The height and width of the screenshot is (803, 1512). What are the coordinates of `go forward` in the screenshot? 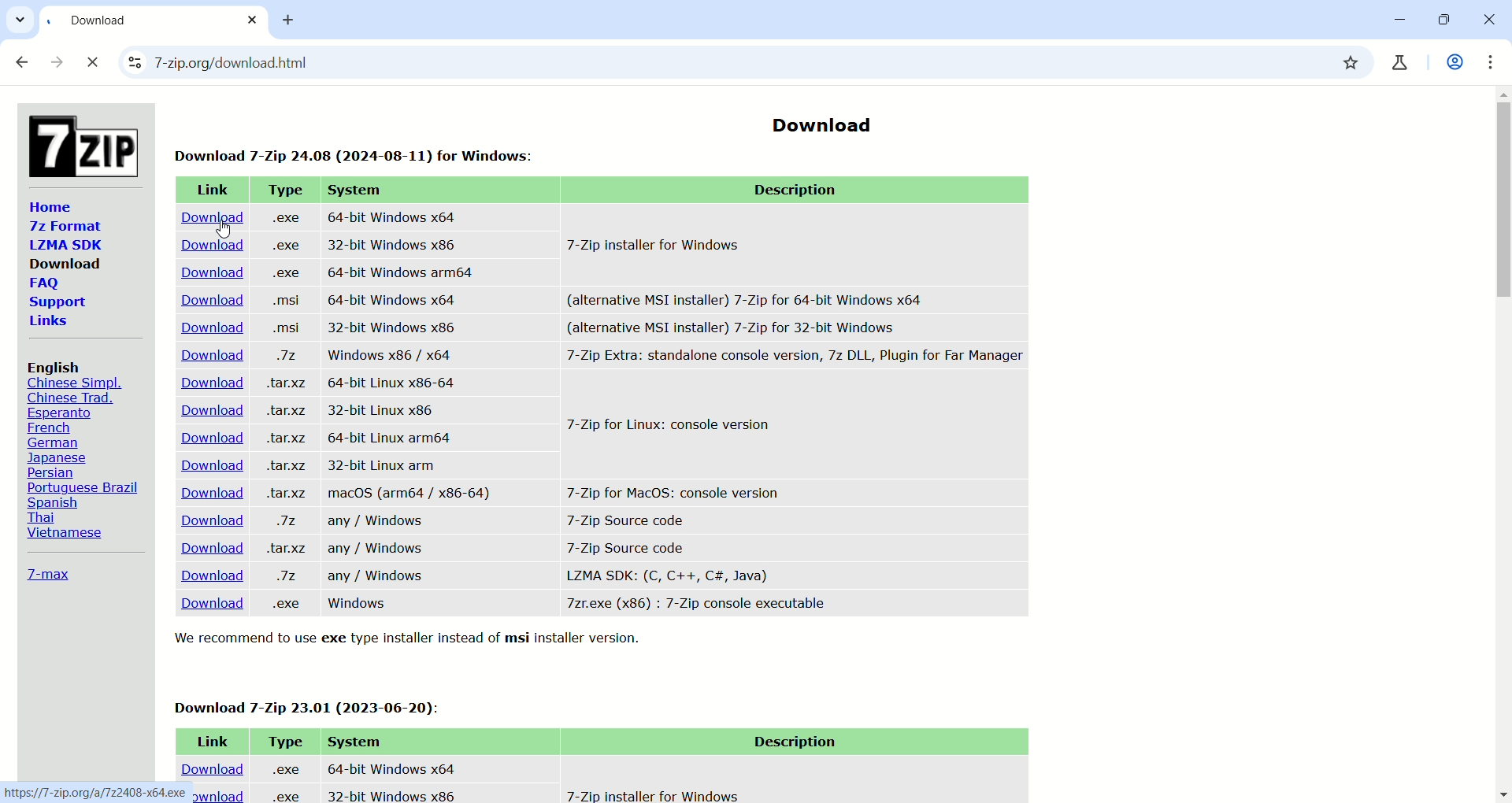 It's located at (58, 65).